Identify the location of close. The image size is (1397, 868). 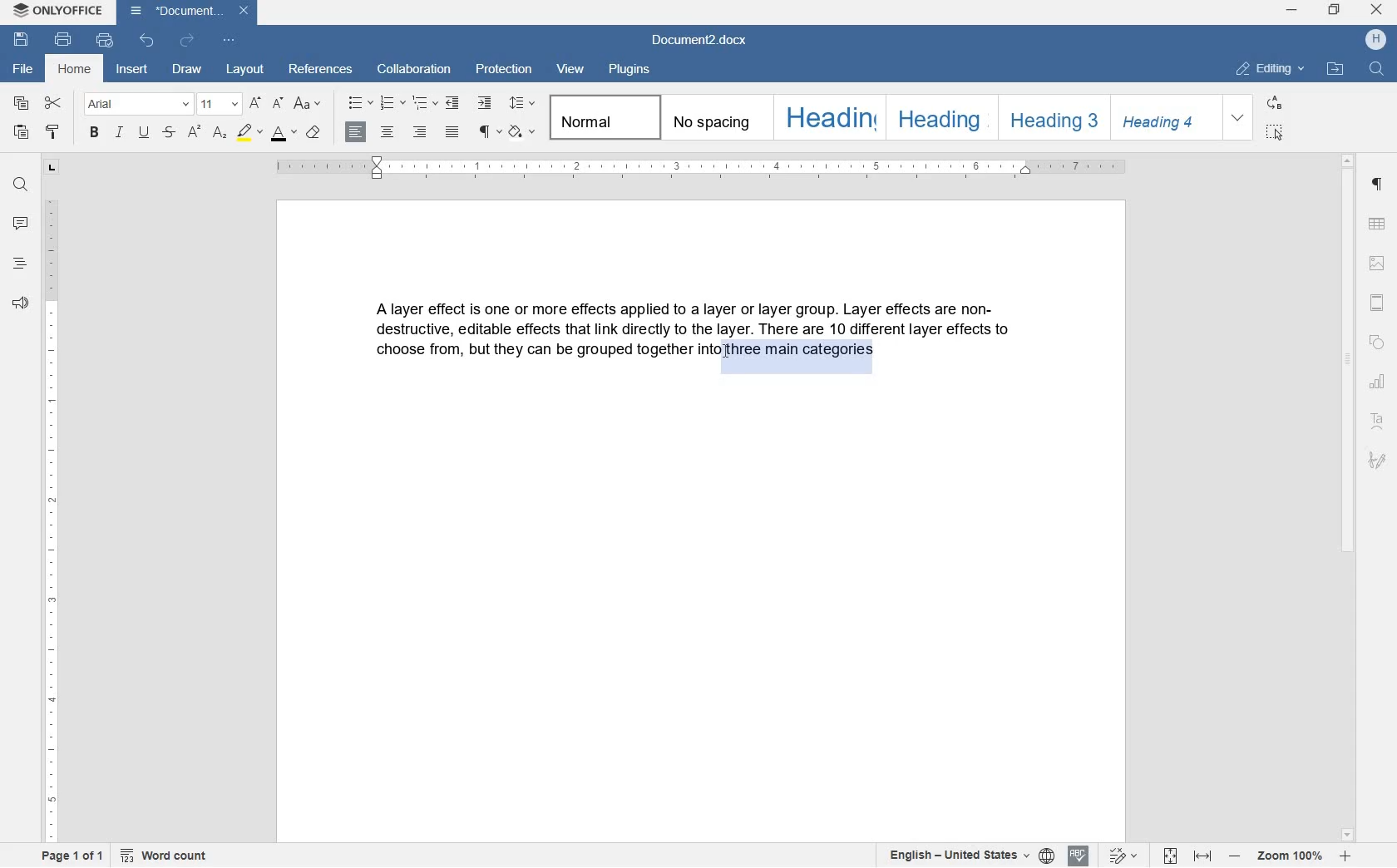
(1376, 9).